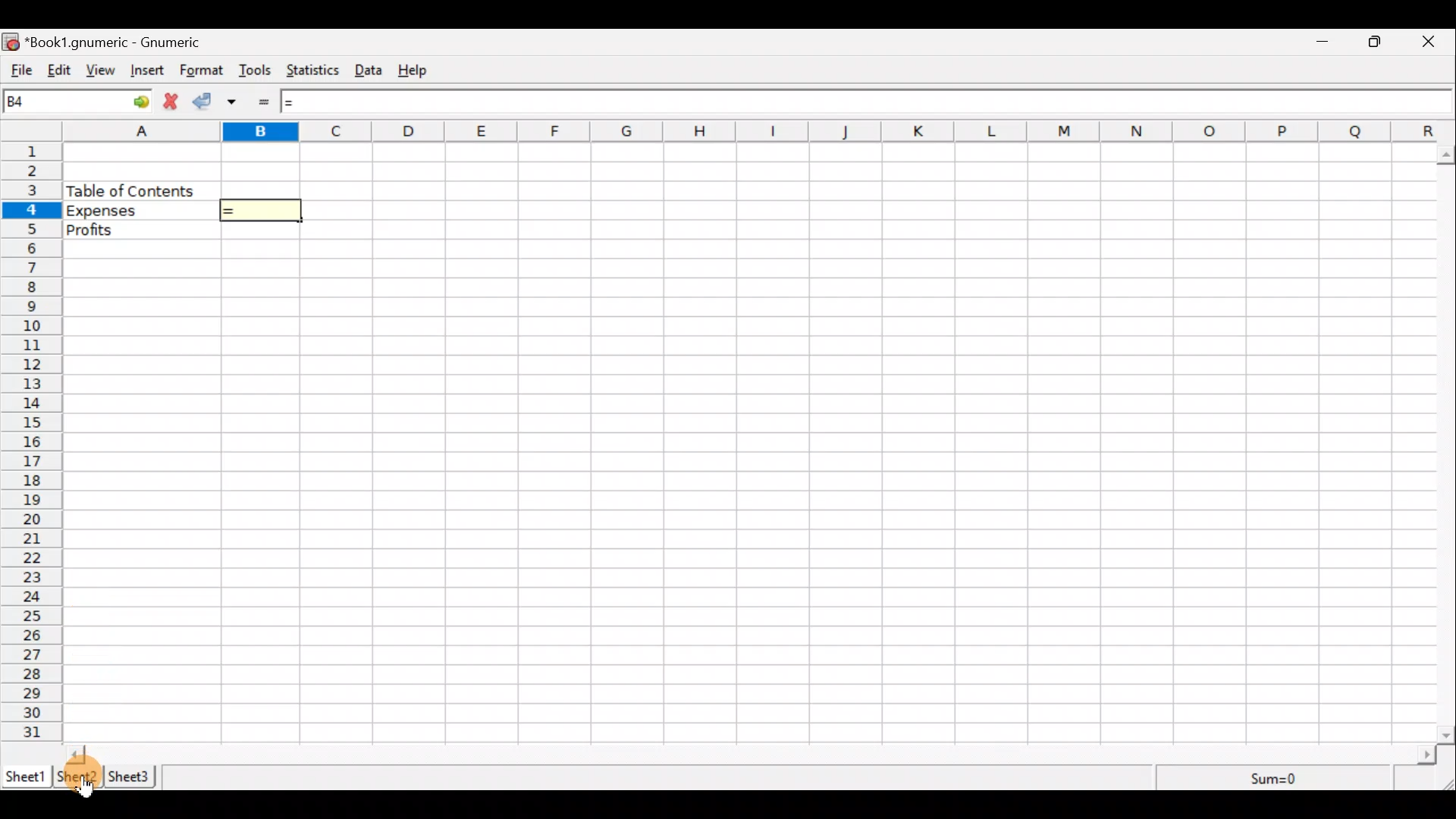 Image resolution: width=1456 pixels, height=819 pixels. I want to click on Statistics, so click(315, 72).